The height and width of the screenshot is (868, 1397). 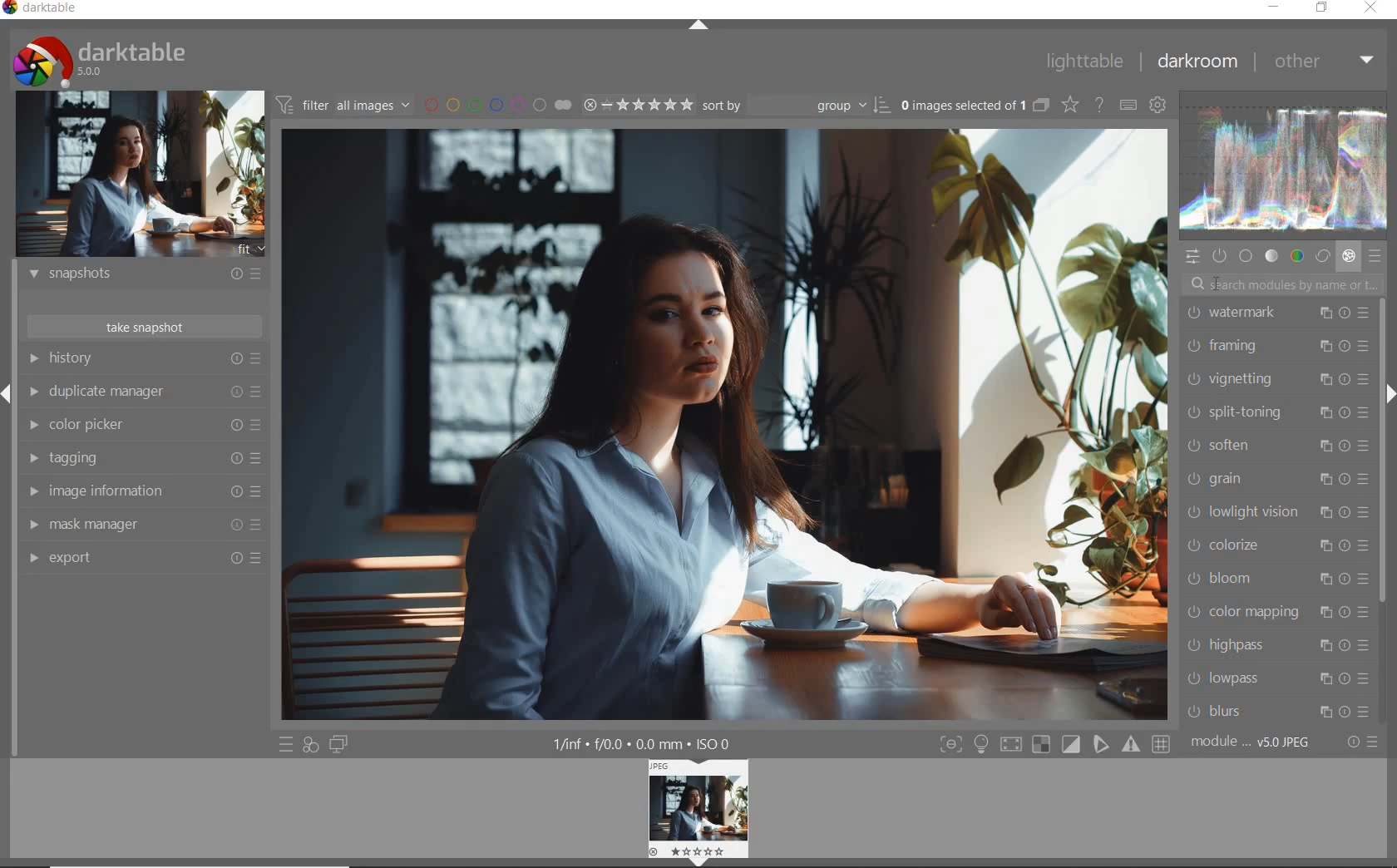 I want to click on presets, so click(x=1376, y=255).